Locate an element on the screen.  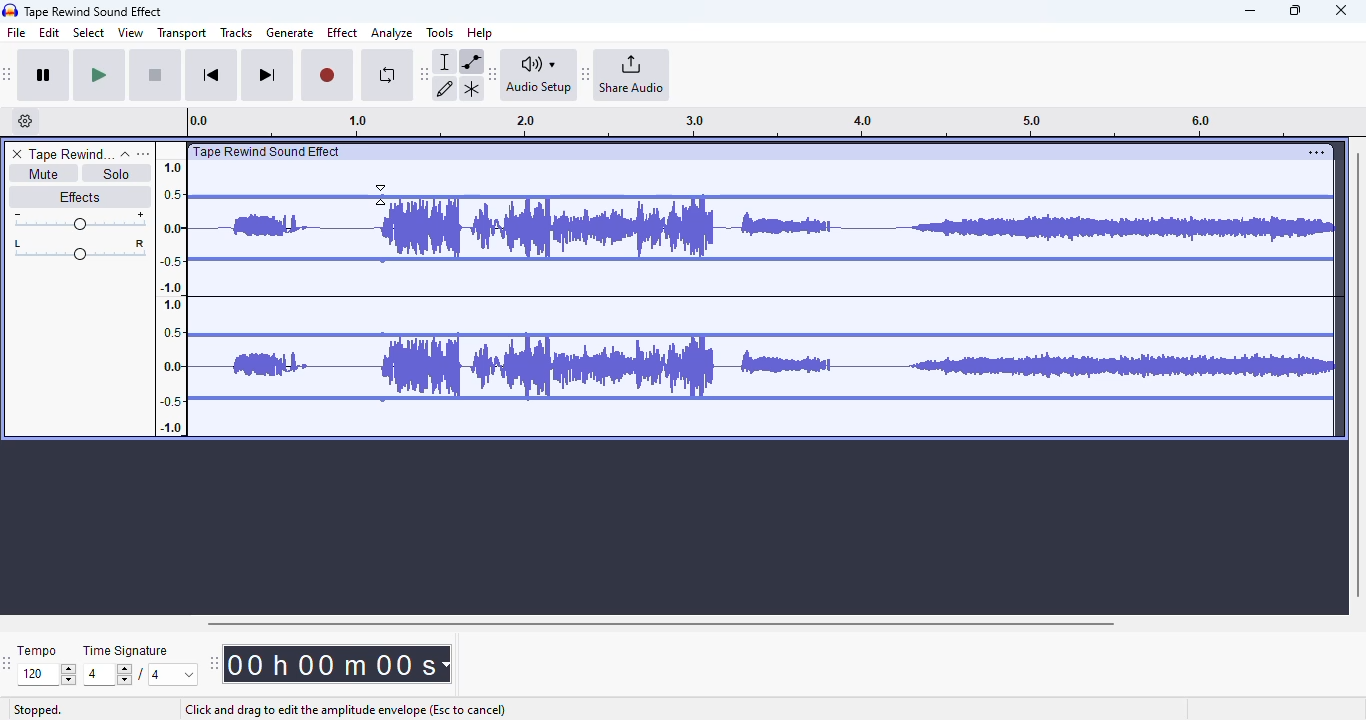
file is located at coordinates (17, 33).